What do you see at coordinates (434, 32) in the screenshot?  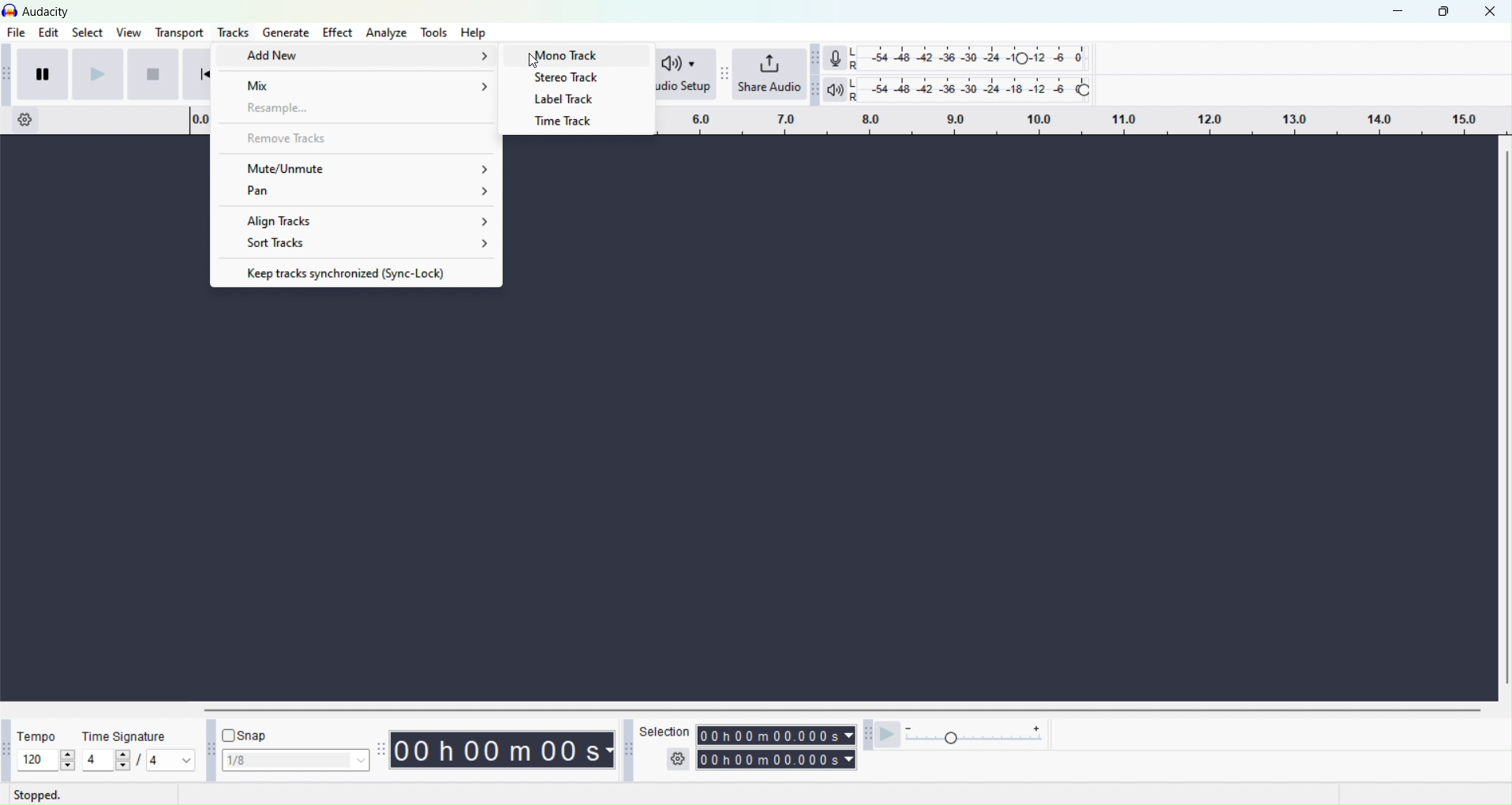 I see `Tools` at bounding box center [434, 32].